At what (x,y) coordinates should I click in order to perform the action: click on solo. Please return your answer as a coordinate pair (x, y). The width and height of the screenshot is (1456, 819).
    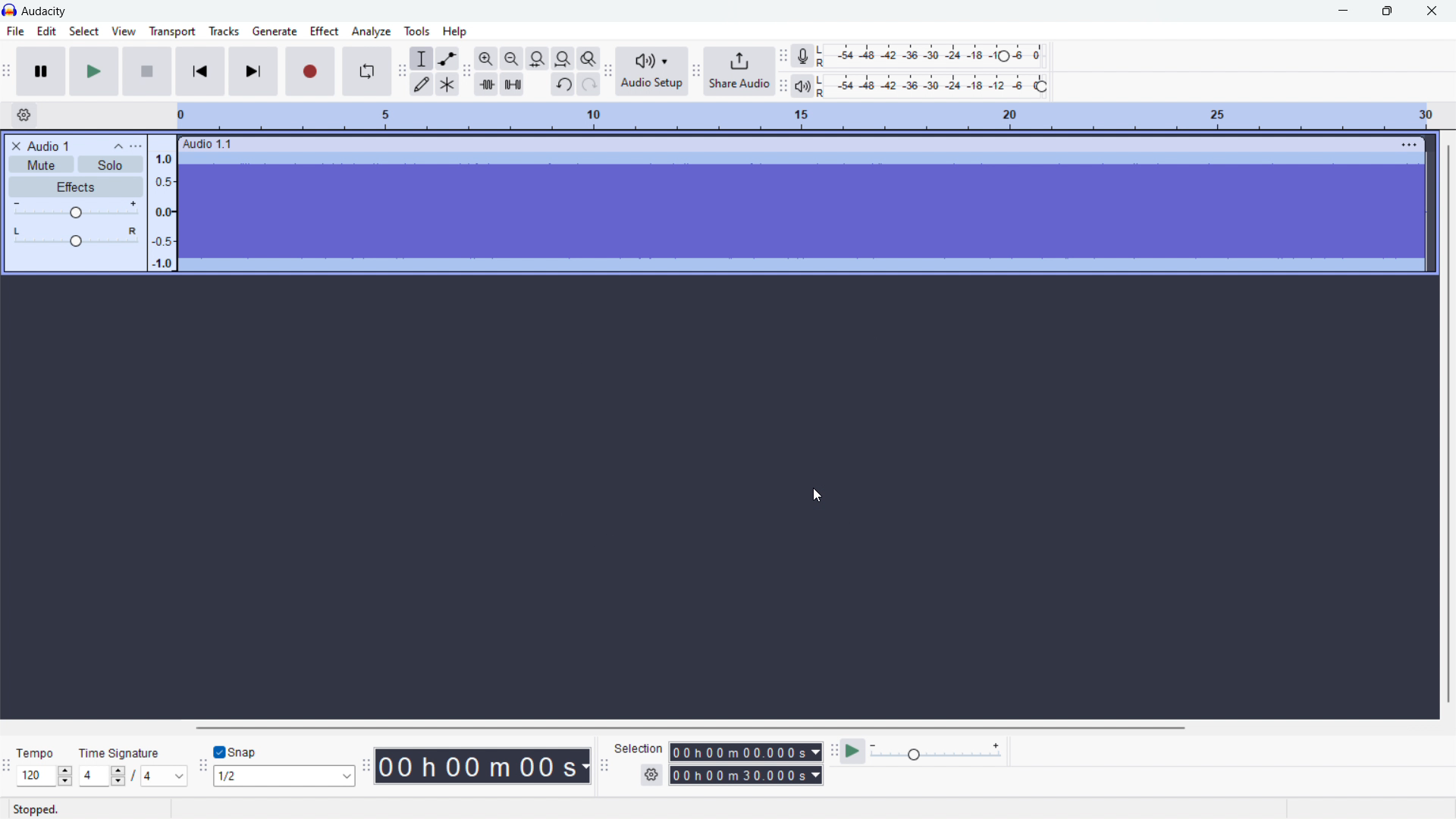
    Looking at the image, I should click on (111, 165).